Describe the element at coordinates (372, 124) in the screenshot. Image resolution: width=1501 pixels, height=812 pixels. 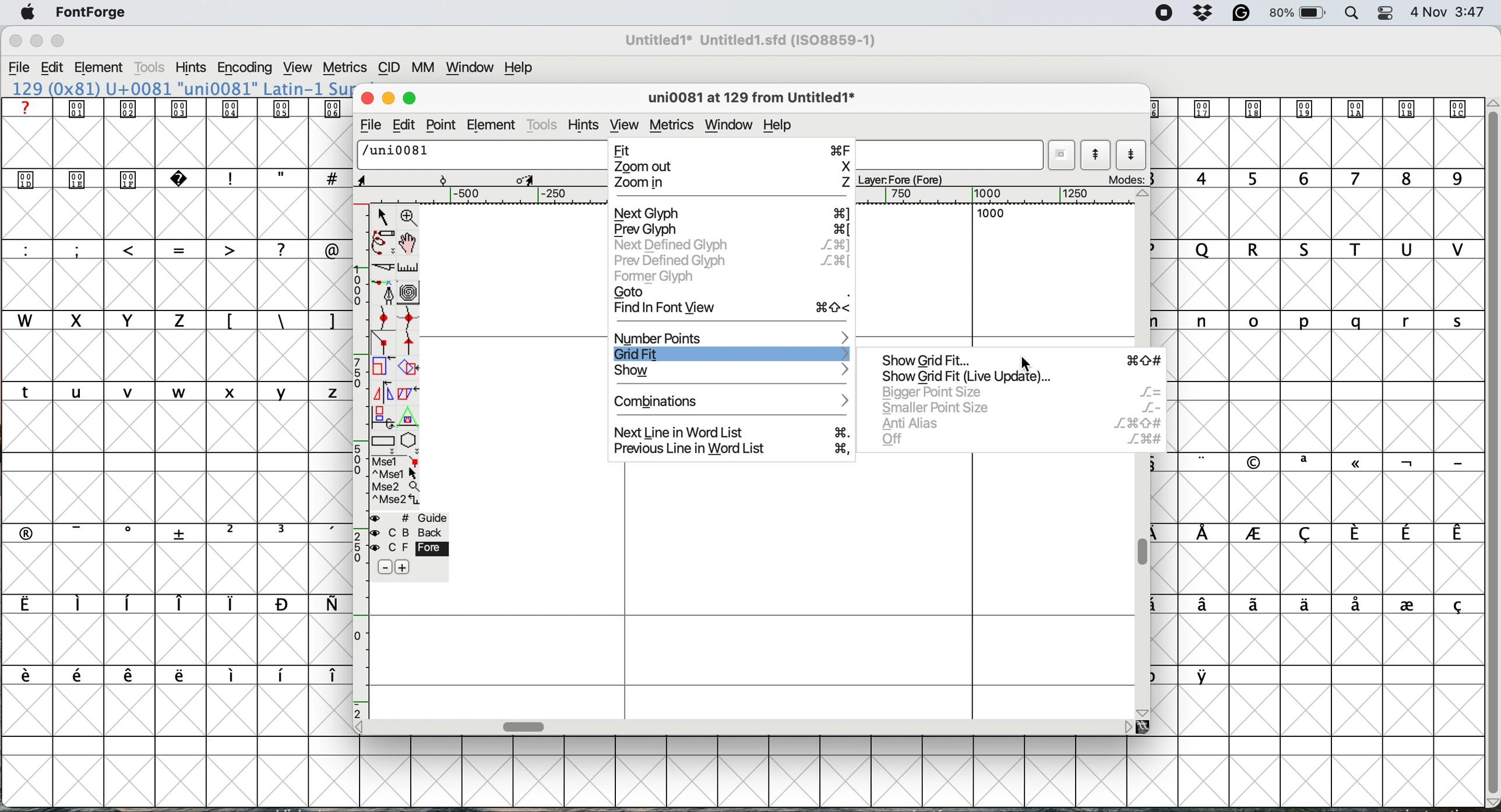
I see `file` at that location.